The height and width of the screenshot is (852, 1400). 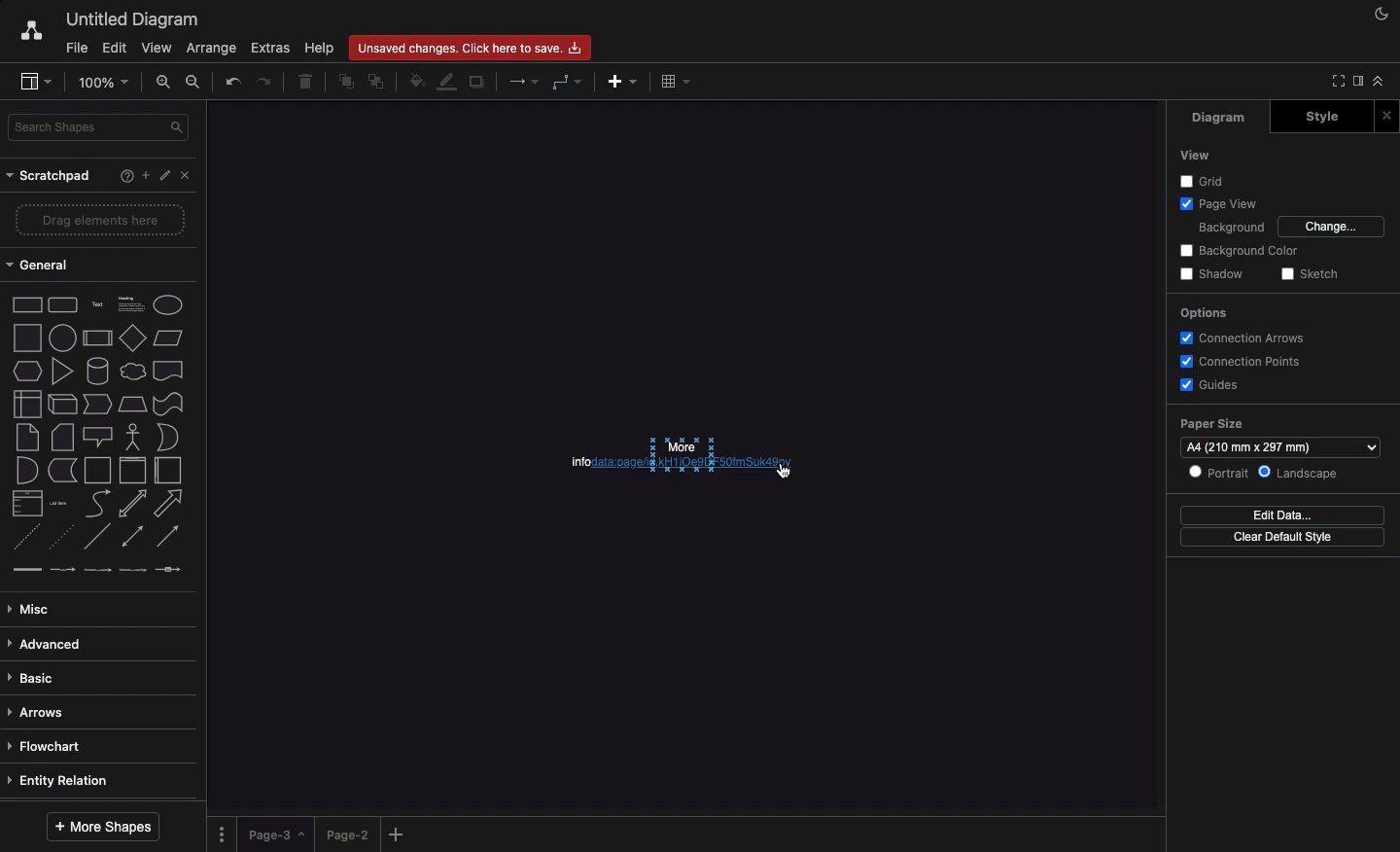 I want to click on rectangle, so click(x=28, y=304).